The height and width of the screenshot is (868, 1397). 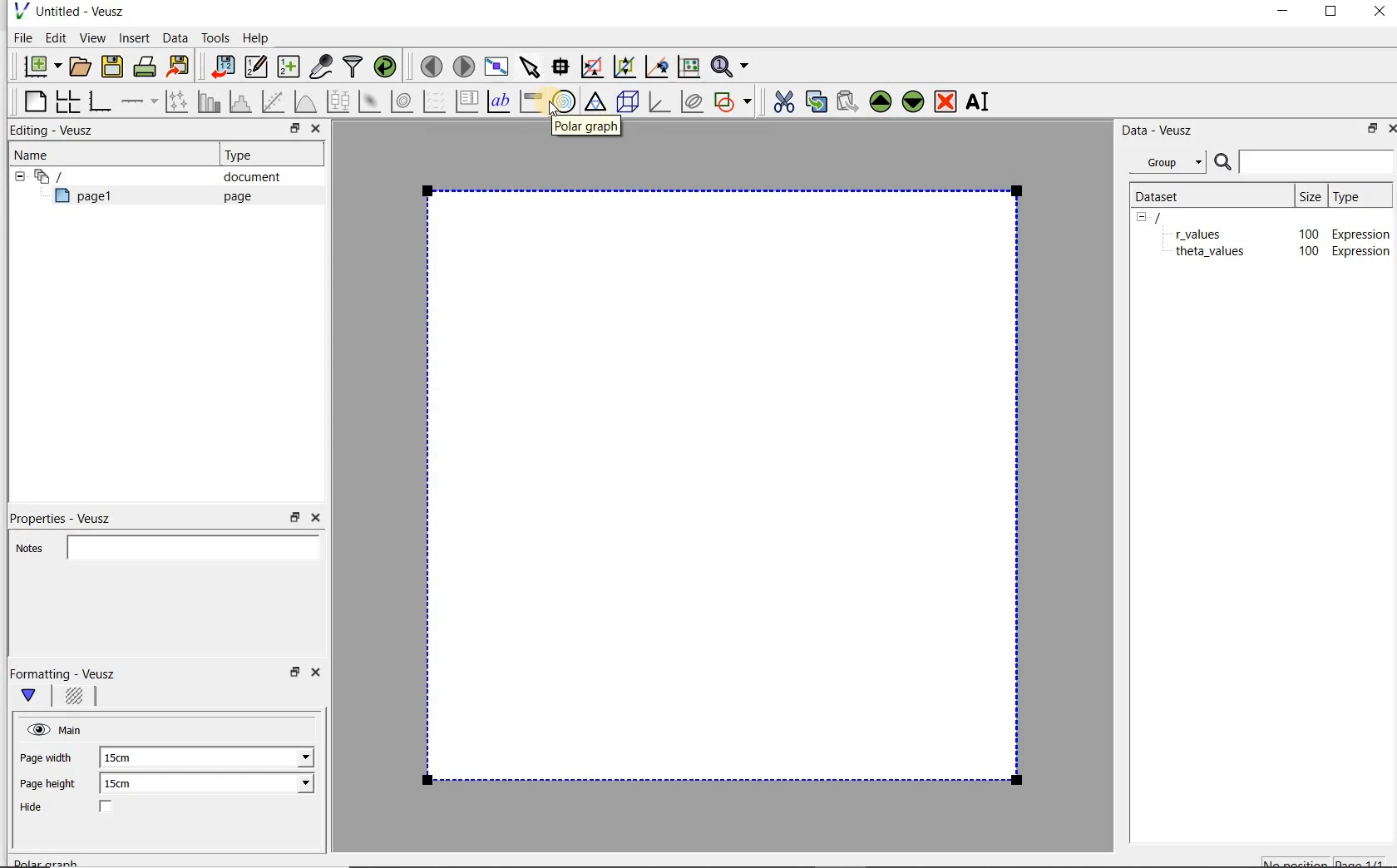 What do you see at coordinates (55, 37) in the screenshot?
I see `Edit` at bounding box center [55, 37].